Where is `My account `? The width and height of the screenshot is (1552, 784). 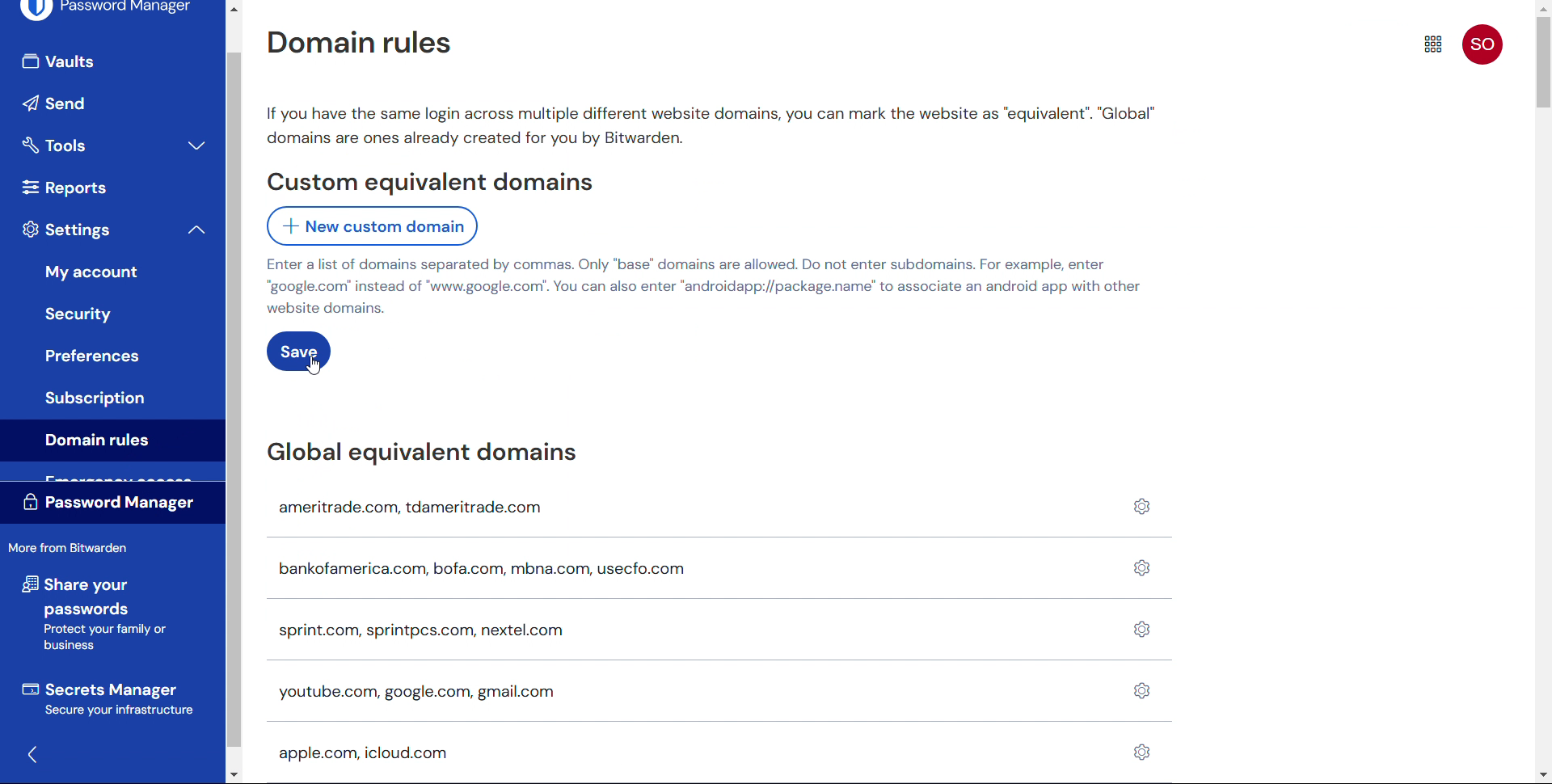 My account  is located at coordinates (95, 269).